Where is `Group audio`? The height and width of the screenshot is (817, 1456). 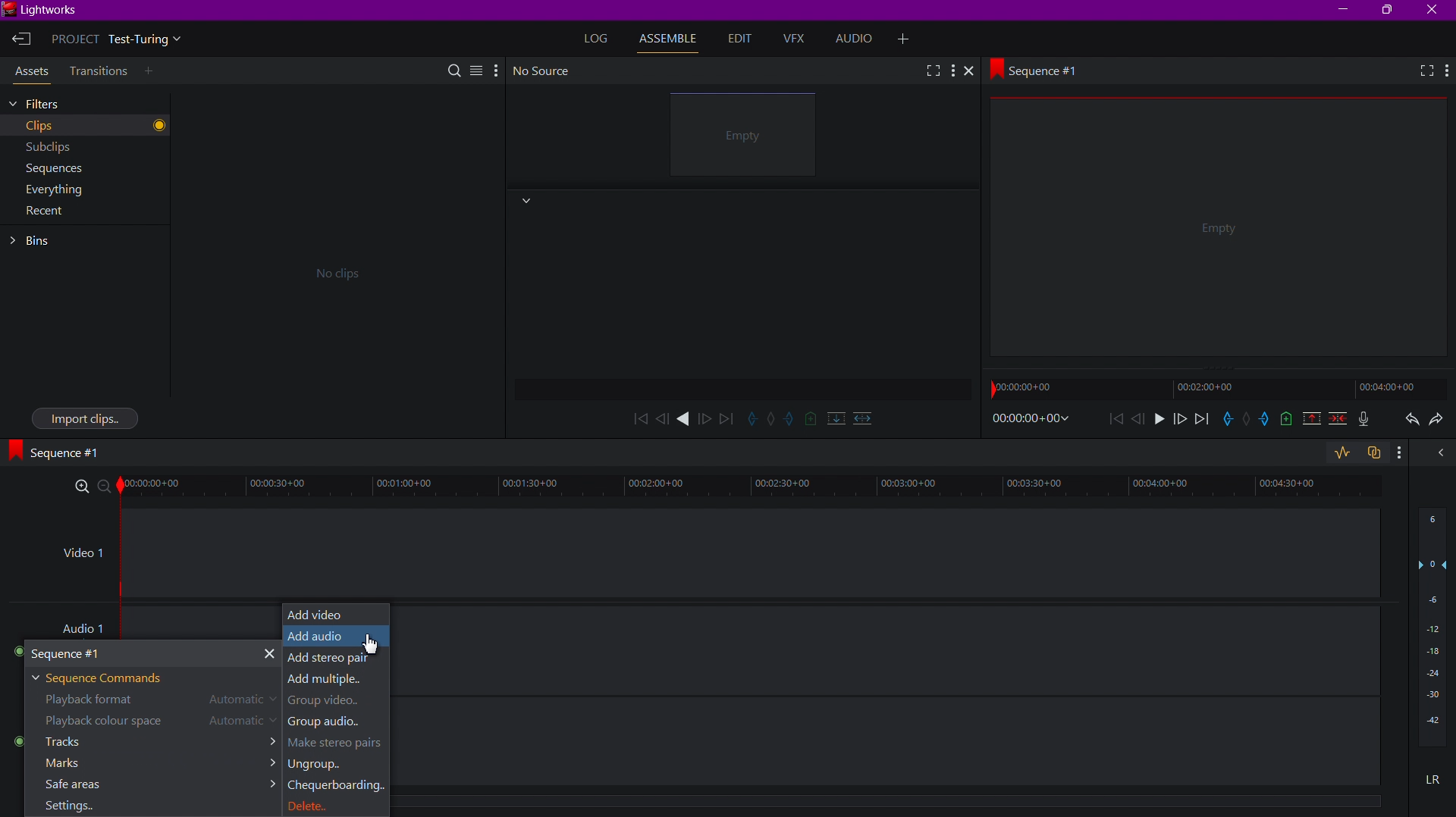
Group audio is located at coordinates (331, 723).